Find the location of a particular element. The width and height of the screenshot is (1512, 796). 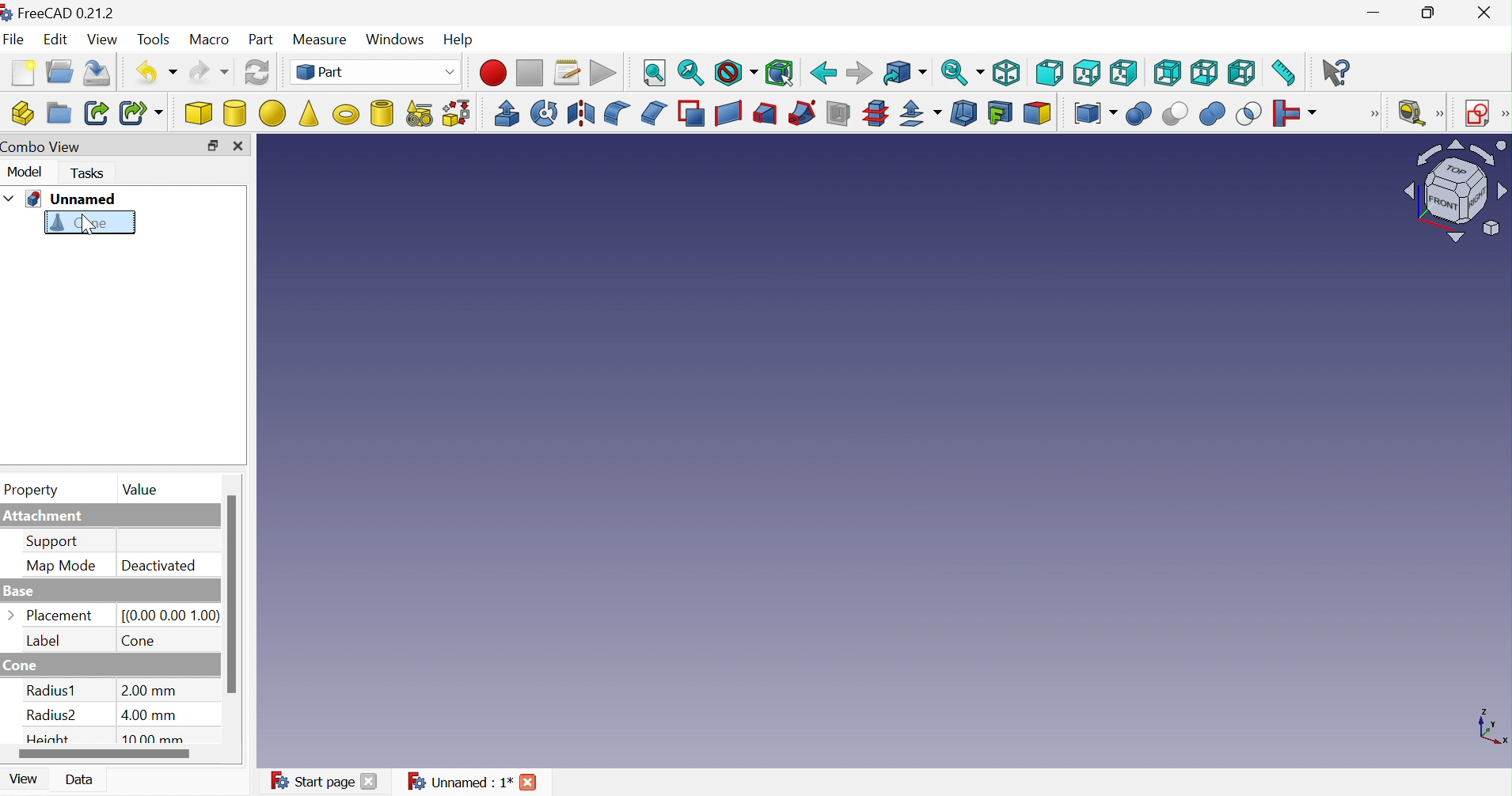

Value is located at coordinates (142, 490).